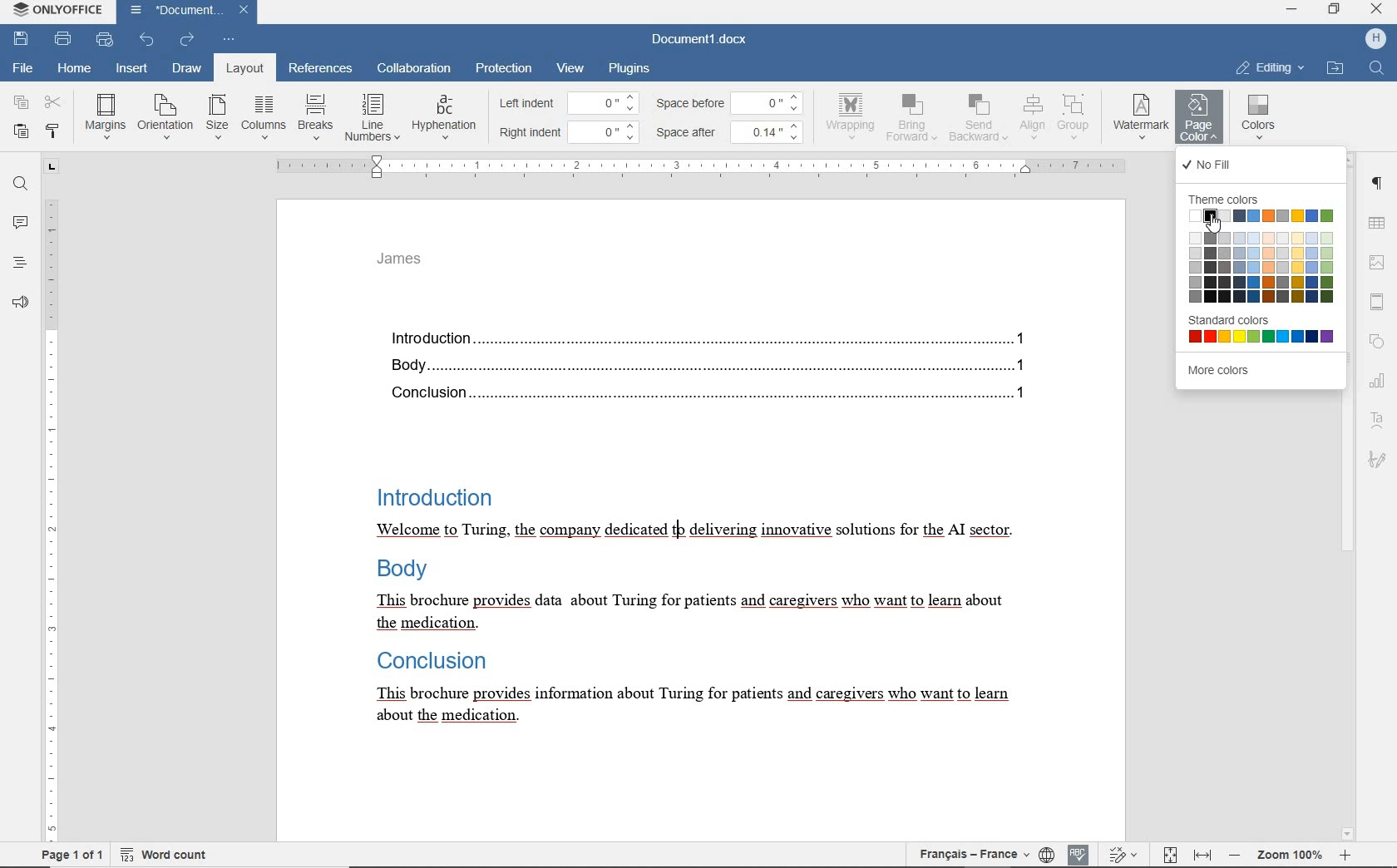  I want to click on fit to page, so click(1170, 852).